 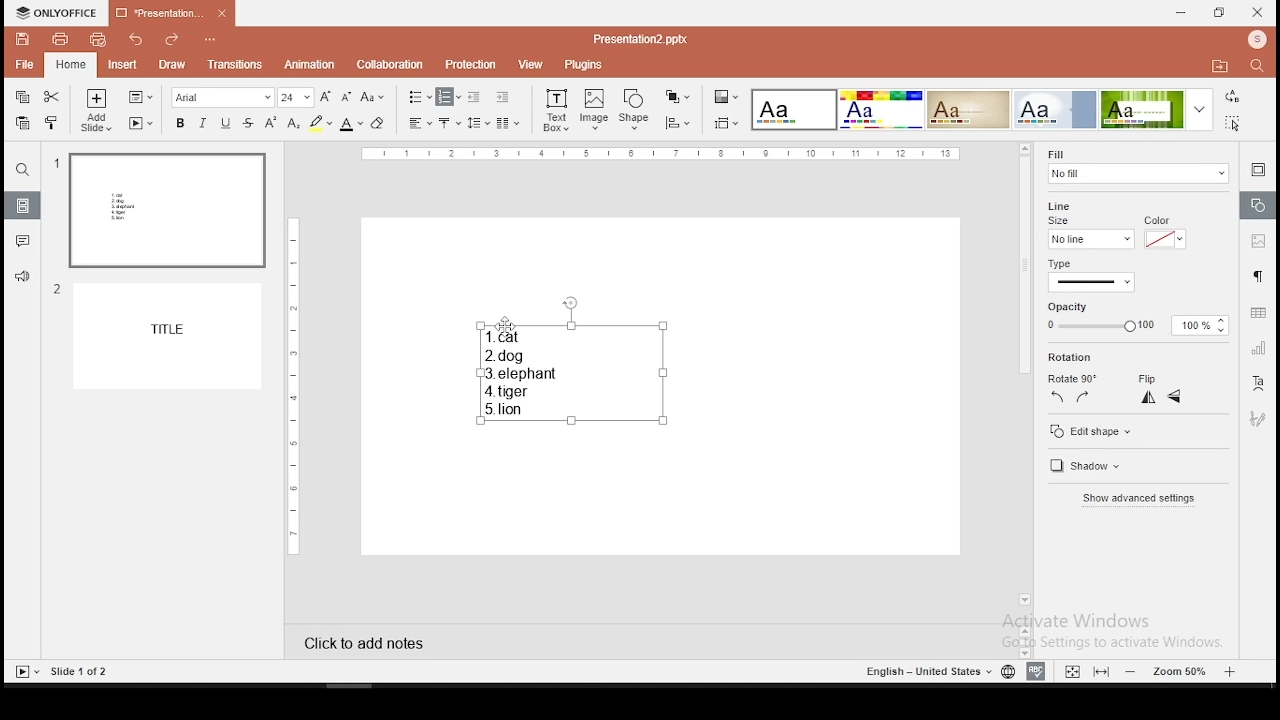 What do you see at coordinates (1178, 672) in the screenshot?
I see `zoom level` at bounding box center [1178, 672].